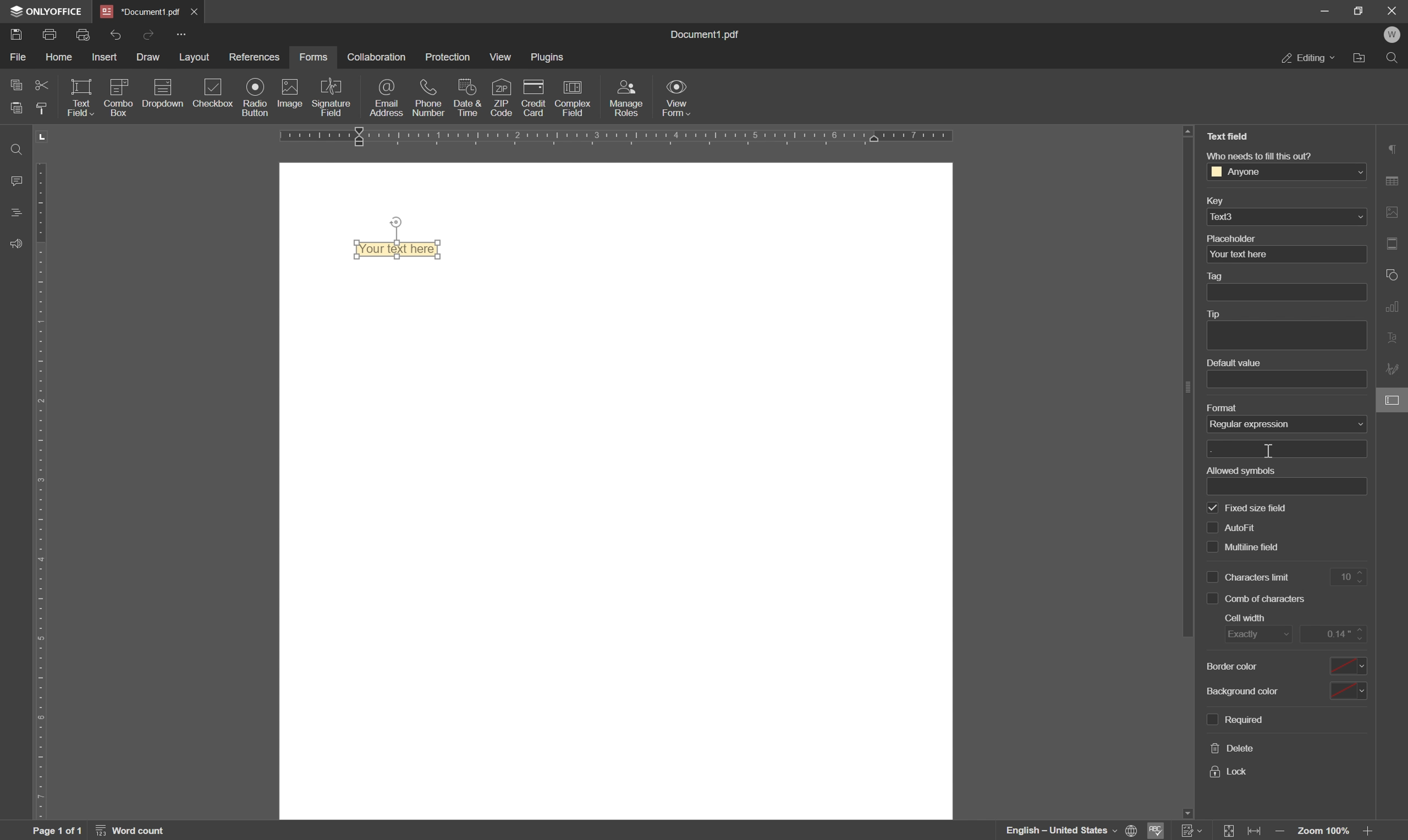 The height and width of the screenshot is (840, 1408). What do you see at coordinates (45, 108) in the screenshot?
I see `copy style` at bounding box center [45, 108].